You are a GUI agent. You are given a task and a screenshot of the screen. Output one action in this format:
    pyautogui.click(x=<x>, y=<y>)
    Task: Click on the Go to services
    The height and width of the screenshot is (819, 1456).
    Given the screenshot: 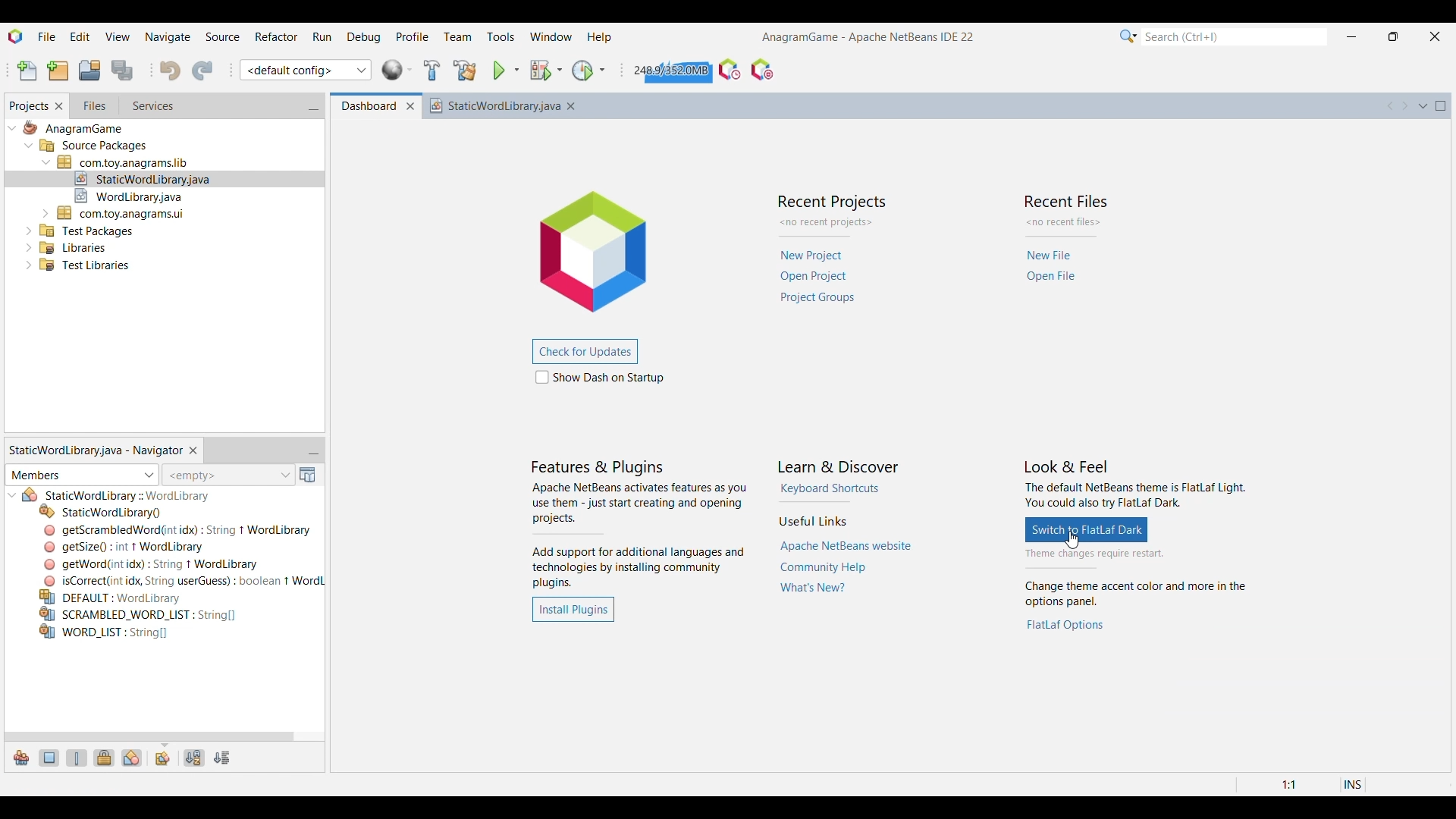 What is the action you would take?
    pyautogui.click(x=152, y=106)
    